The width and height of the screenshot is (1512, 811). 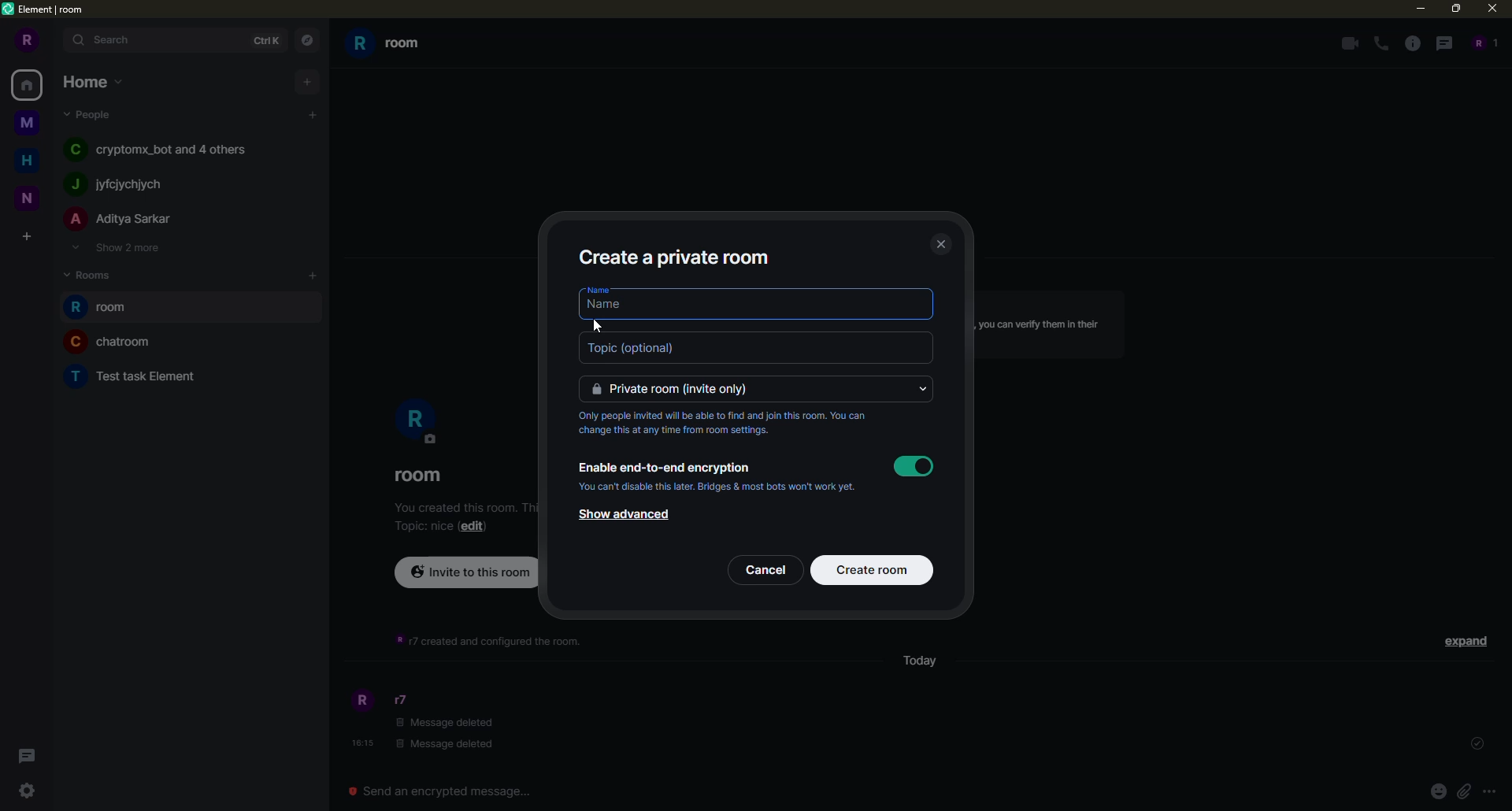 I want to click on cursor, so click(x=596, y=327).